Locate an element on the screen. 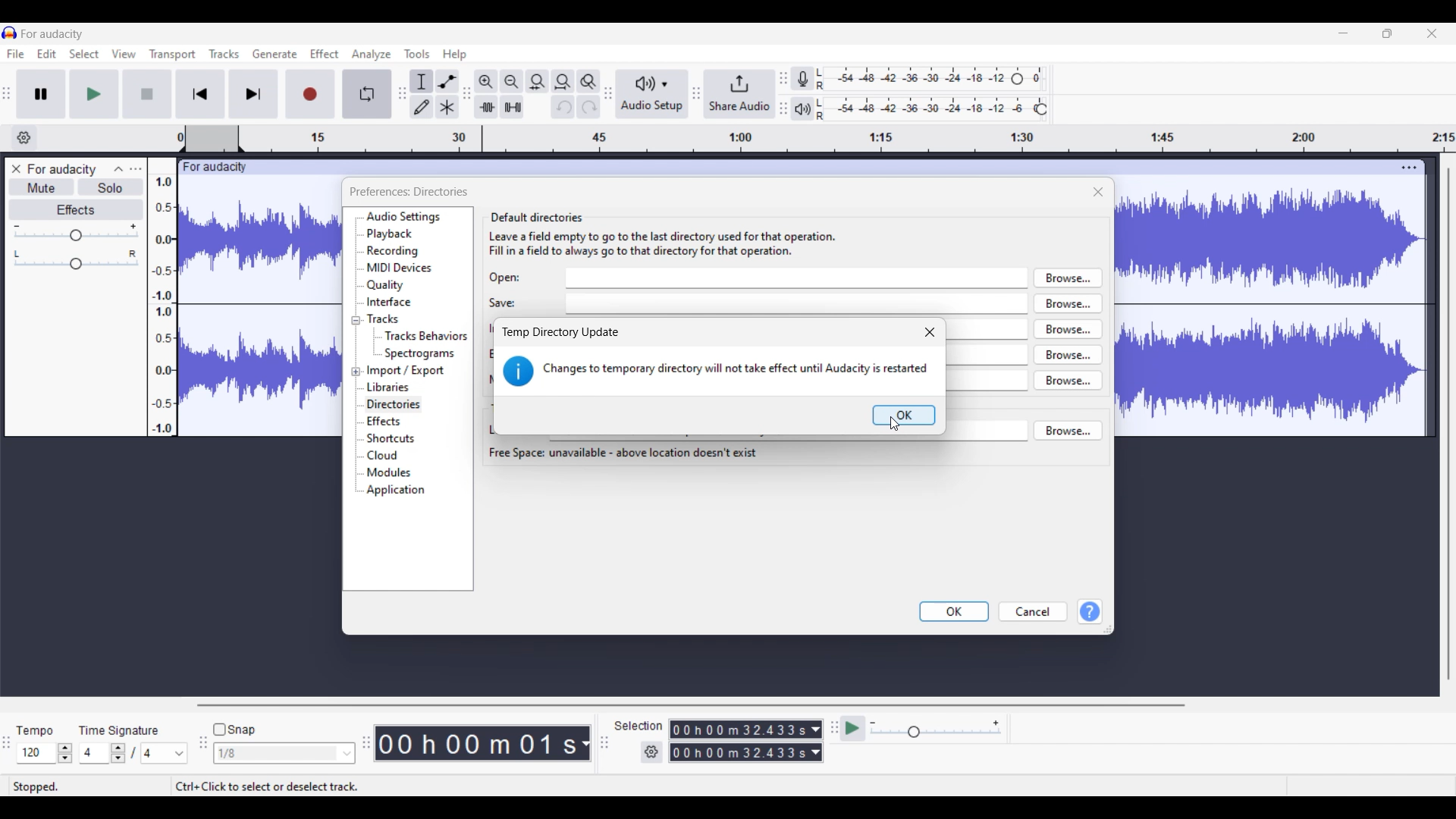  View menu is located at coordinates (124, 54).